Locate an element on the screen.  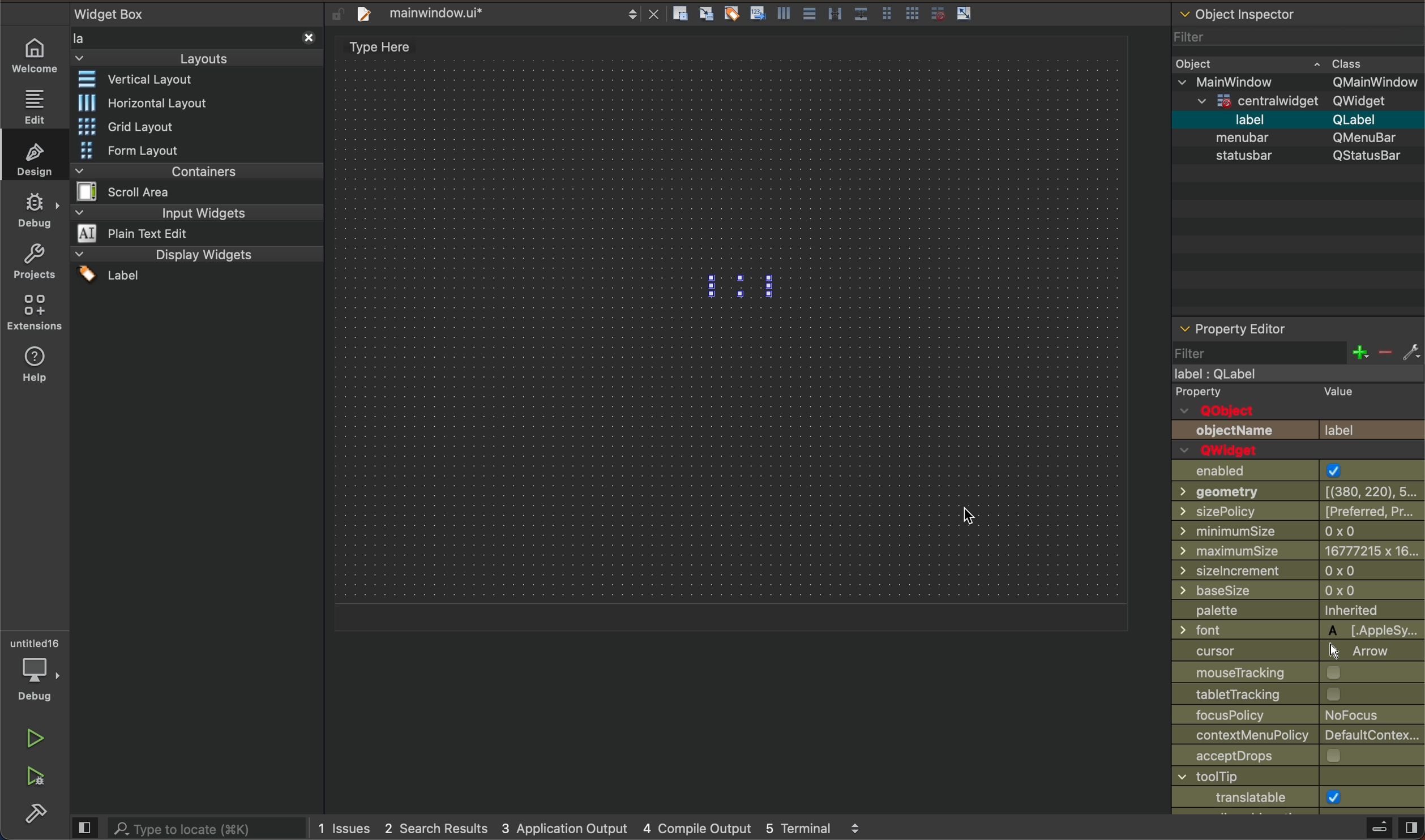
qwidget is located at coordinates (1242, 449).